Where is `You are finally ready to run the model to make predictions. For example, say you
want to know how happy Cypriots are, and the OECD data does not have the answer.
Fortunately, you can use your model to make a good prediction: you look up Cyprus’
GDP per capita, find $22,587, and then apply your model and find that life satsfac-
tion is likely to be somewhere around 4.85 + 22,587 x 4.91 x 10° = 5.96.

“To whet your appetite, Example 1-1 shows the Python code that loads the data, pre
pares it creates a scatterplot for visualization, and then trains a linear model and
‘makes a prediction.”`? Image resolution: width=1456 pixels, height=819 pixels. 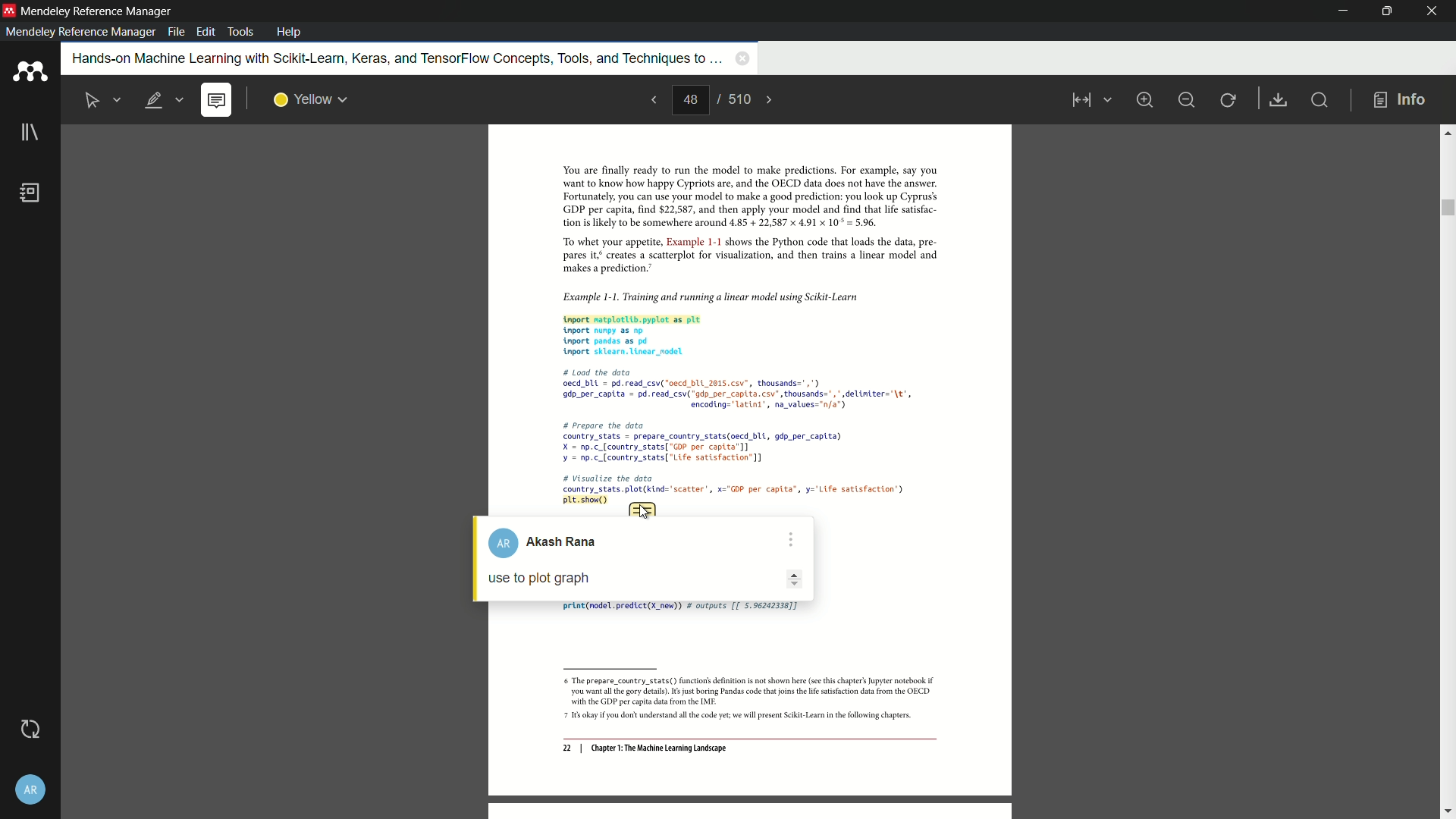 You are finally ready to run the model to make predictions. For example, say you
want to know how happy Cypriots are, and the OECD data does not have the answer.
Fortunately, you can use your model to make a good prediction: you look up Cyprus’
GDP per capita, find $22,587, and then apply your model and find that life satsfac-
tion is likely to be somewhere around 4.85 + 22,587 x 4.91 x 10° = 5.96.

“To whet your appetite, Example 1-1 shows the Python code that loads the data, pre
pares it creates a scatterplot for visualization, and then trains a linear model and
‘makes a prediction.” is located at coordinates (741, 220).